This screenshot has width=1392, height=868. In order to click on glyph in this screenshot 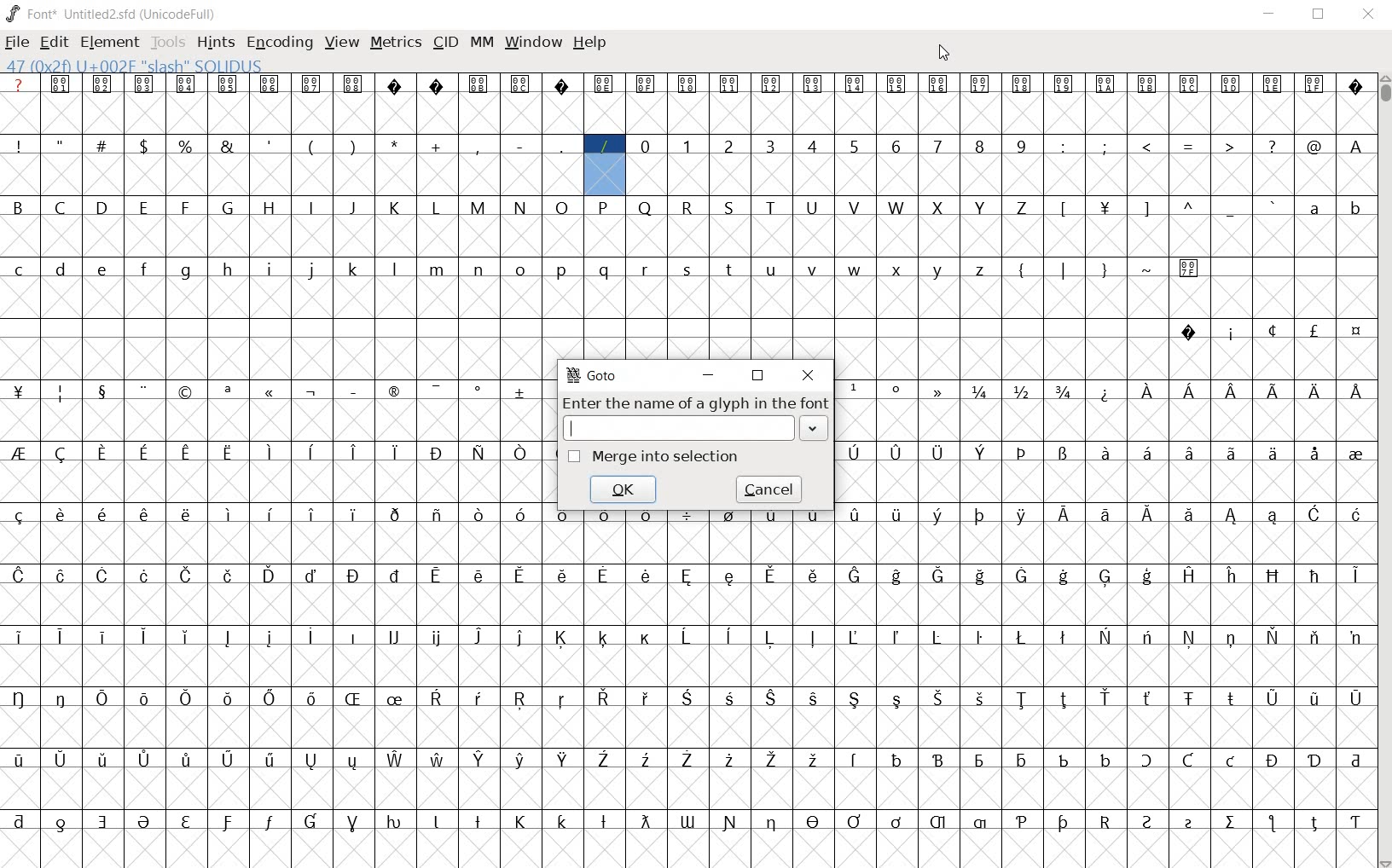, I will do `click(352, 698)`.